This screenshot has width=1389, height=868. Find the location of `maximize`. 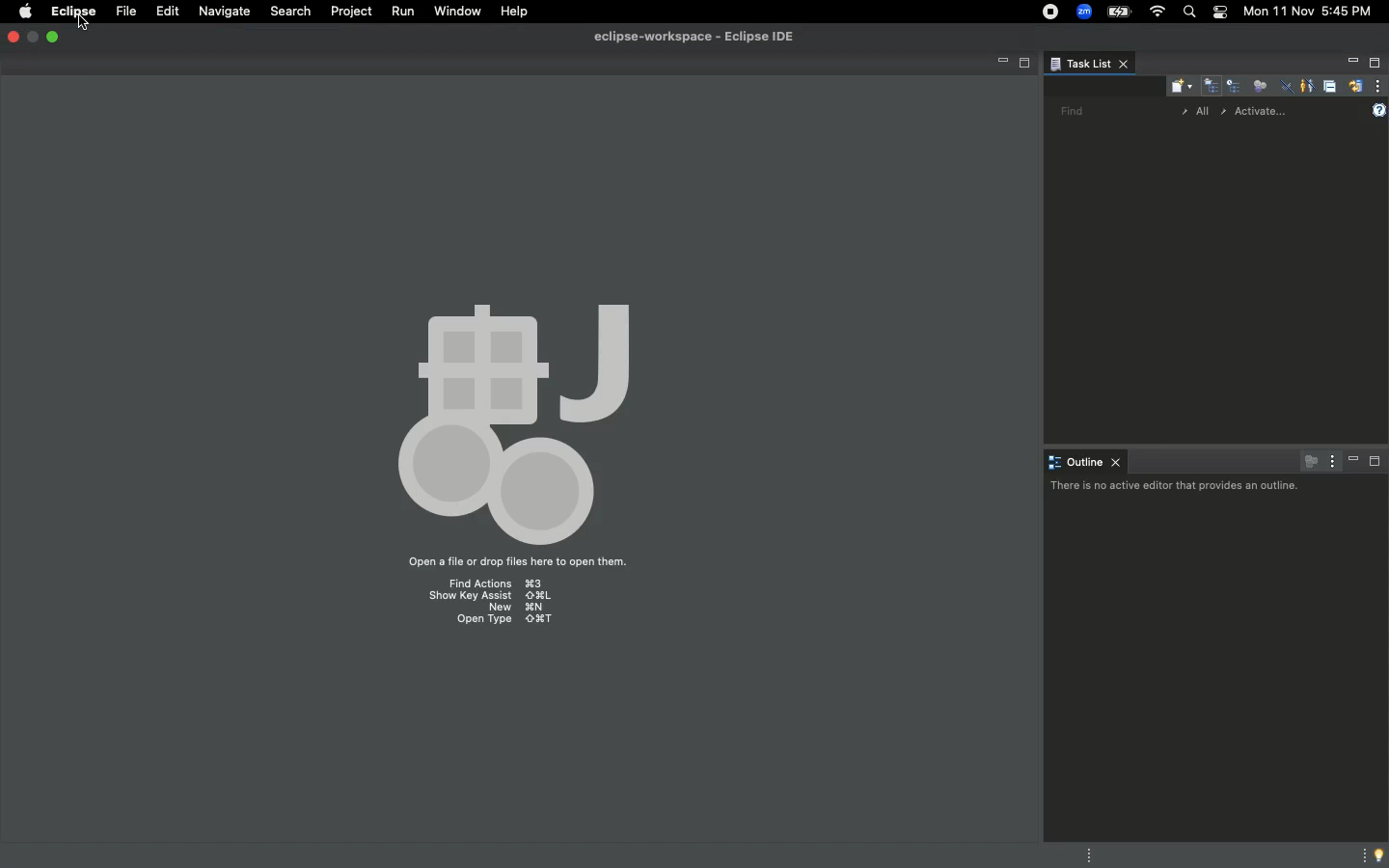

maximize is located at coordinates (31, 40).